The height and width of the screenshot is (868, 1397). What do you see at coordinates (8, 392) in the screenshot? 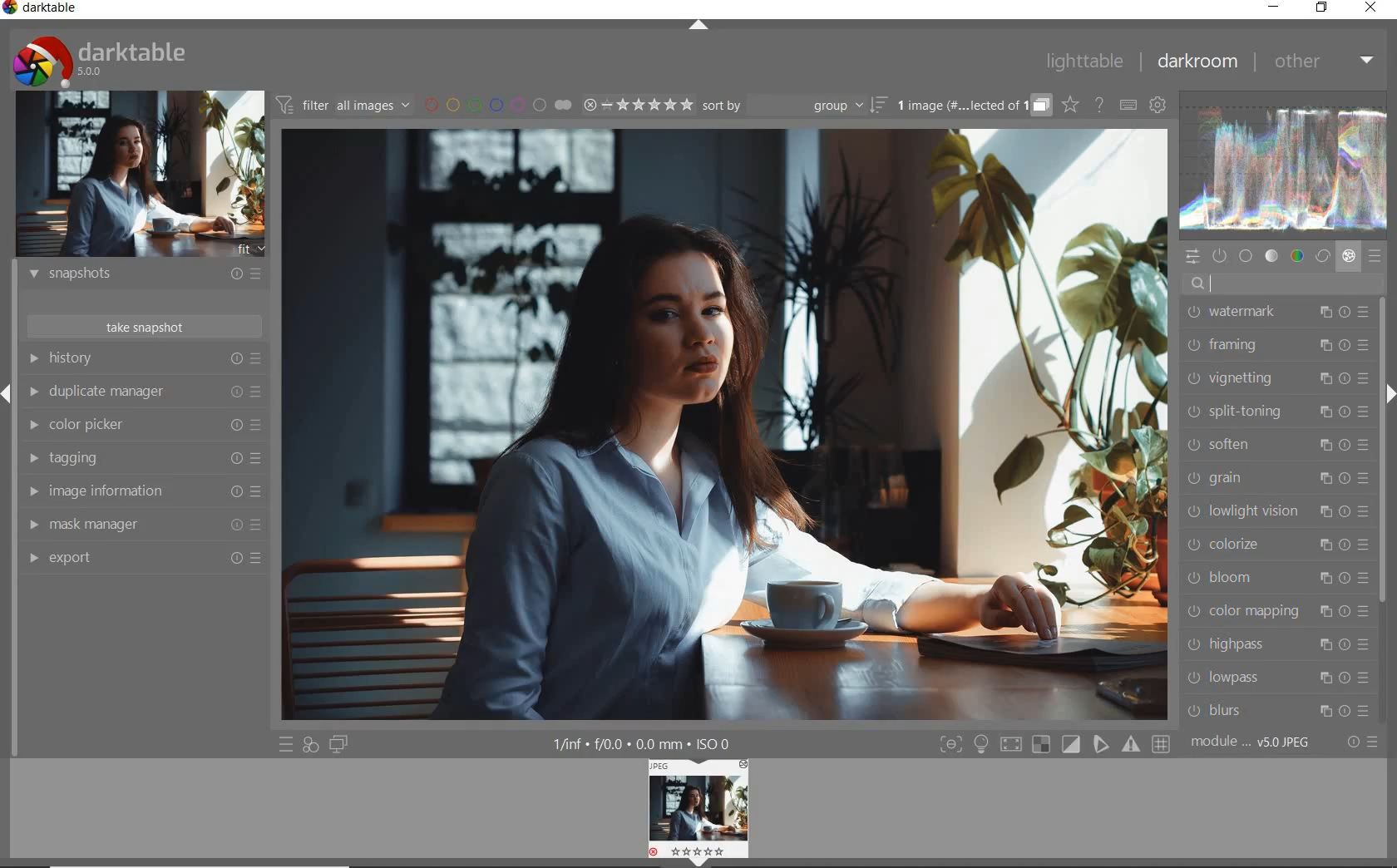
I see `Expand/Collapse` at bounding box center [8, 392].